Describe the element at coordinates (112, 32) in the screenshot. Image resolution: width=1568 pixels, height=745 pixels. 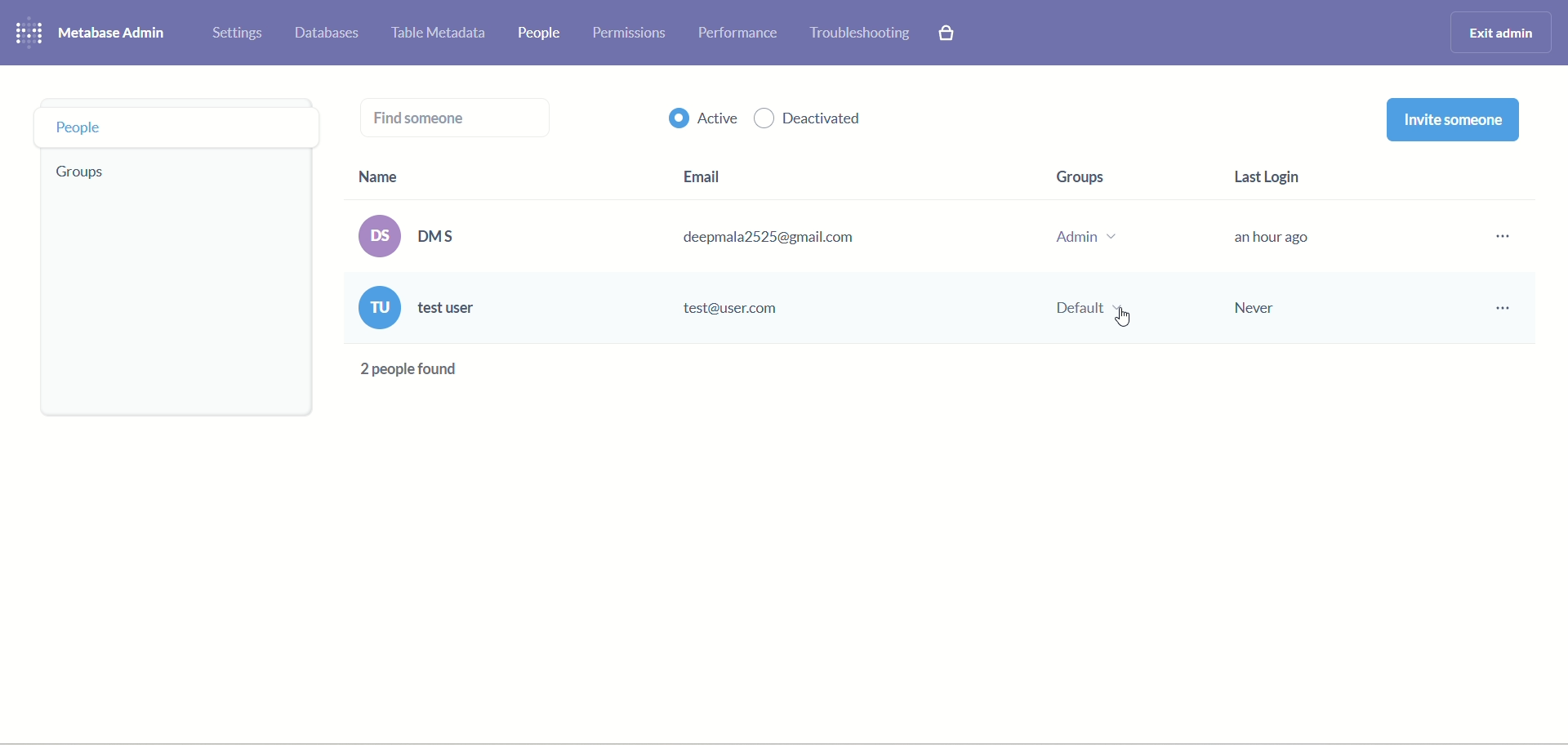
I see `metabase admin` at that location.